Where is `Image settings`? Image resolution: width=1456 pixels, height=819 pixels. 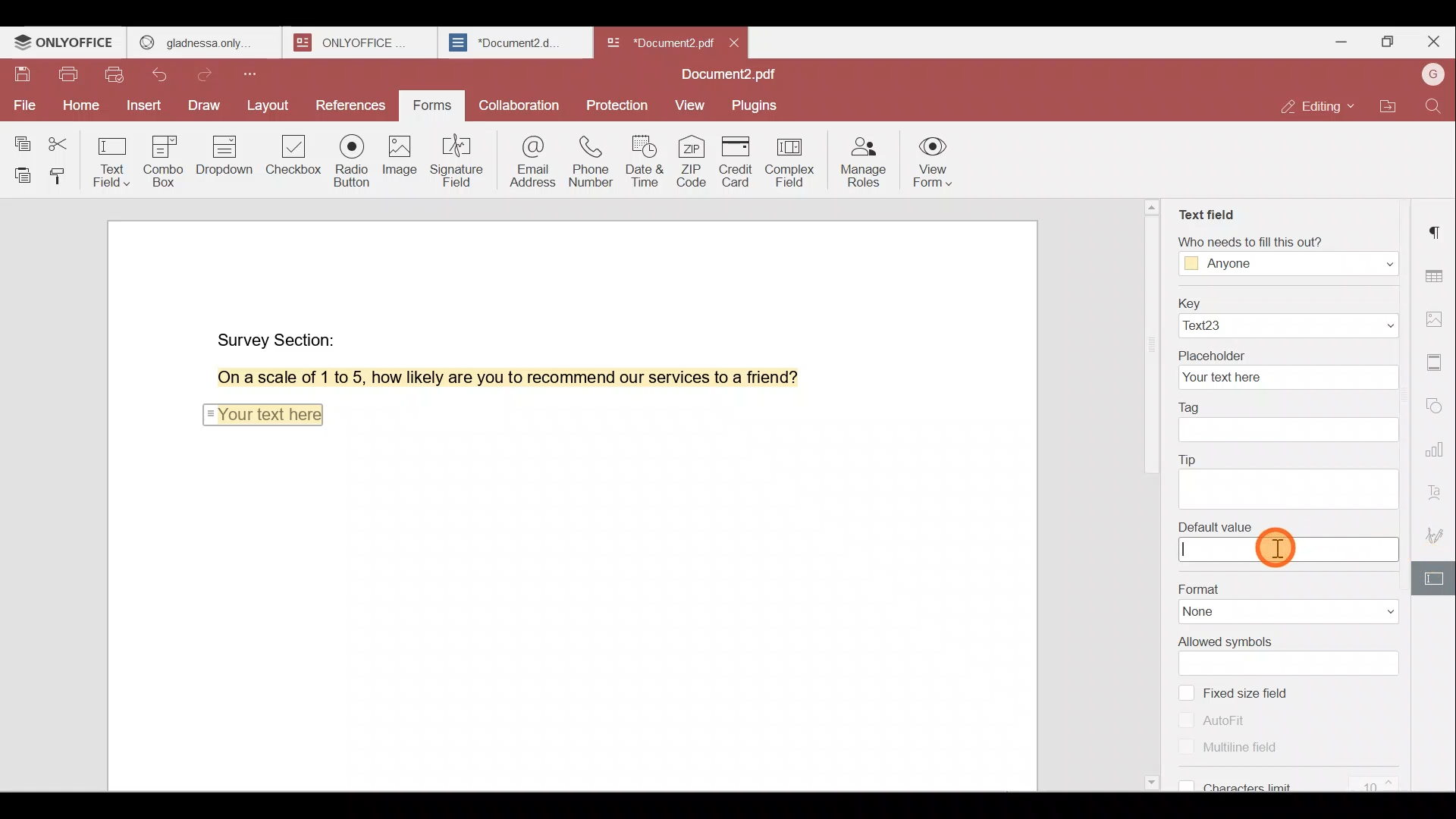 Image settings is located at coordinates (1439, 322).